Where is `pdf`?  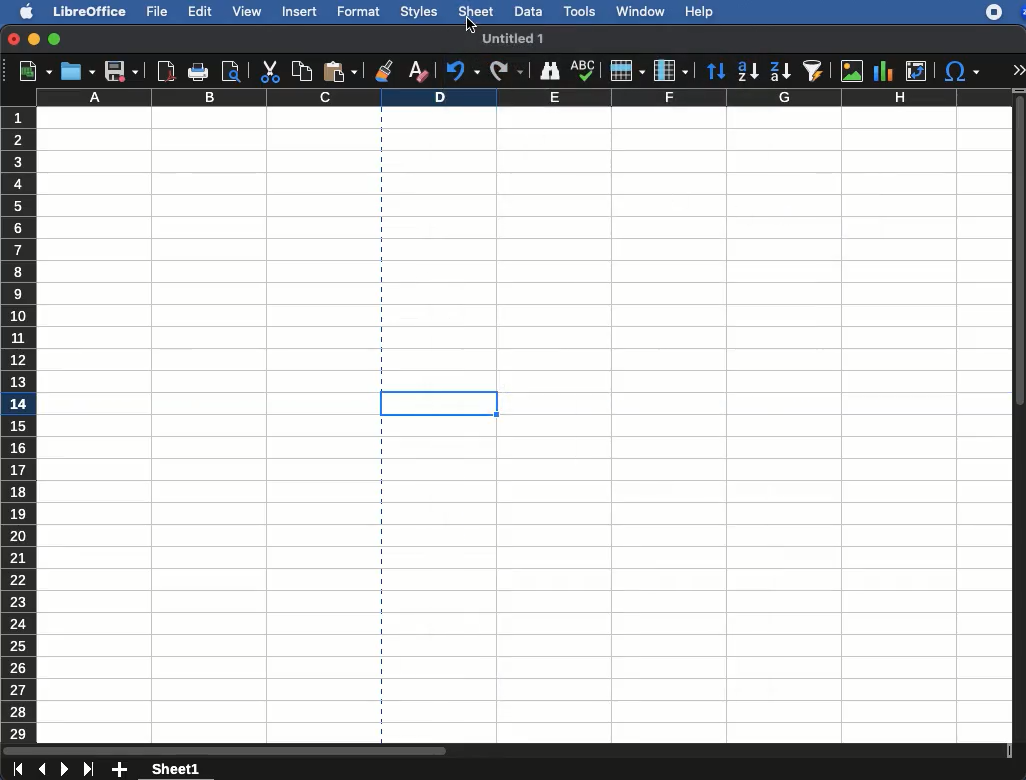 pdf is located at coordinates (166, 71).